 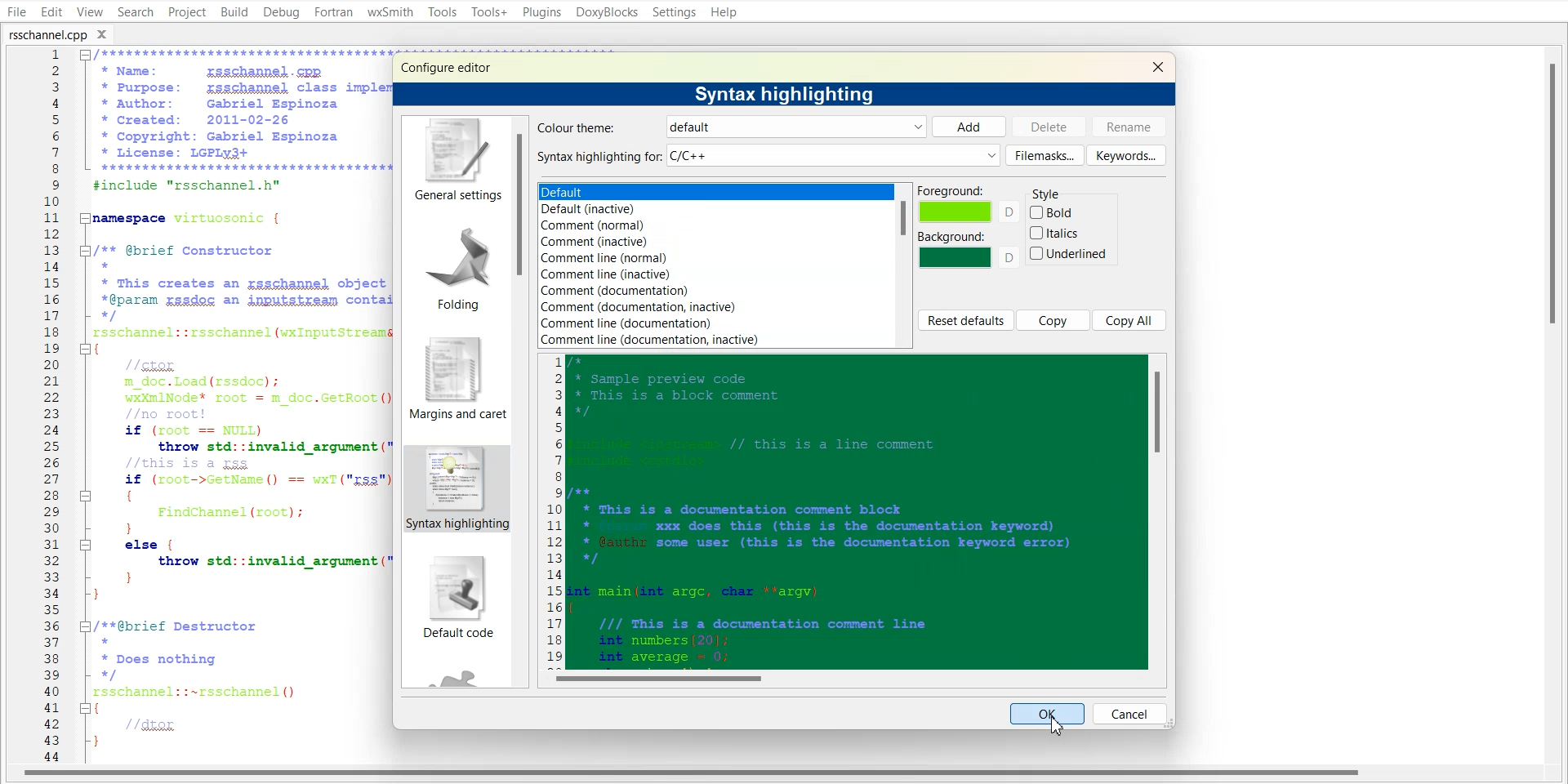 I want to click on Filemasks, so click(x=1045, y=155).